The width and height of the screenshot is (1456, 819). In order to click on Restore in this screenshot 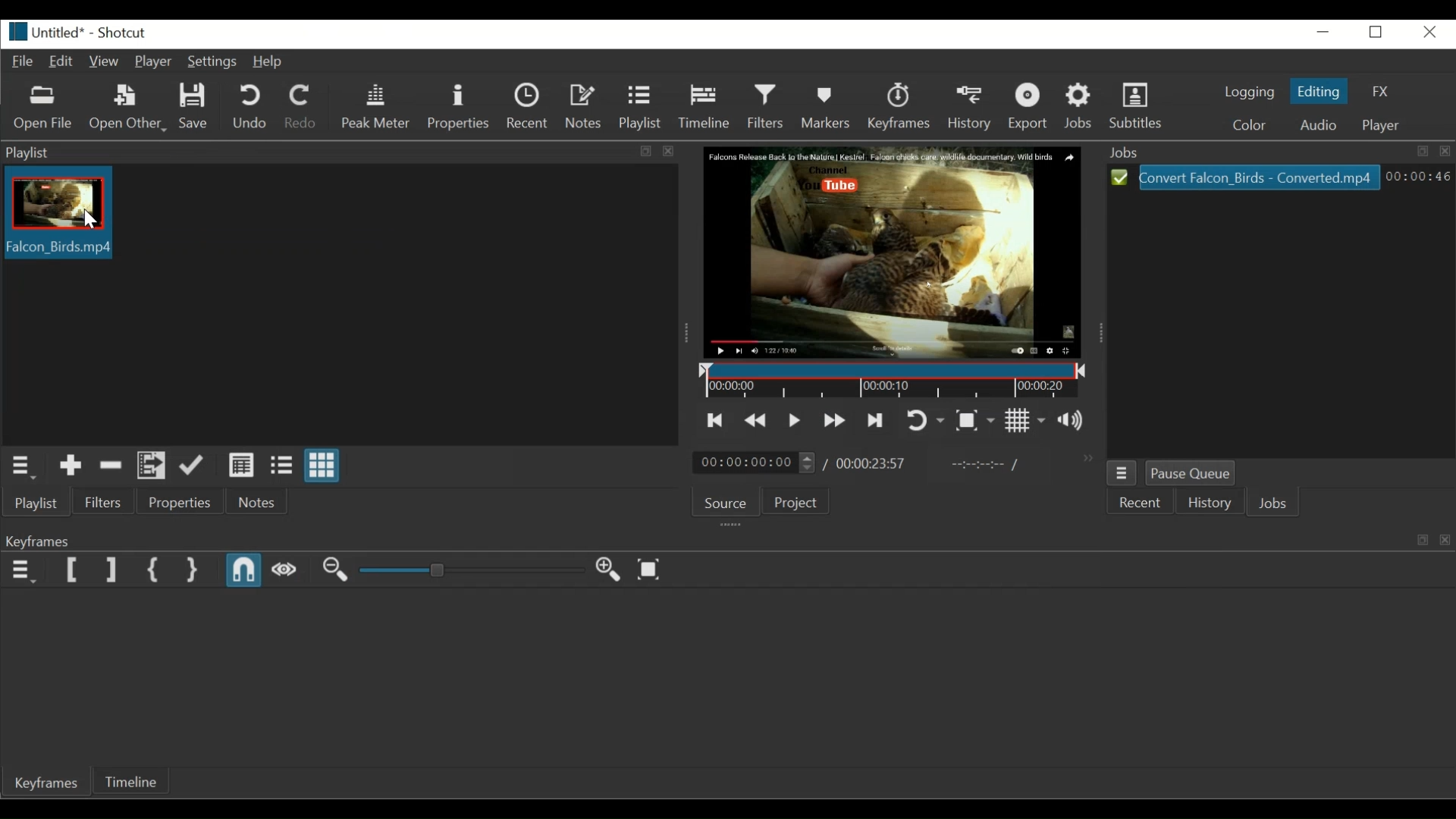, I will do `click(1375, 33)`.